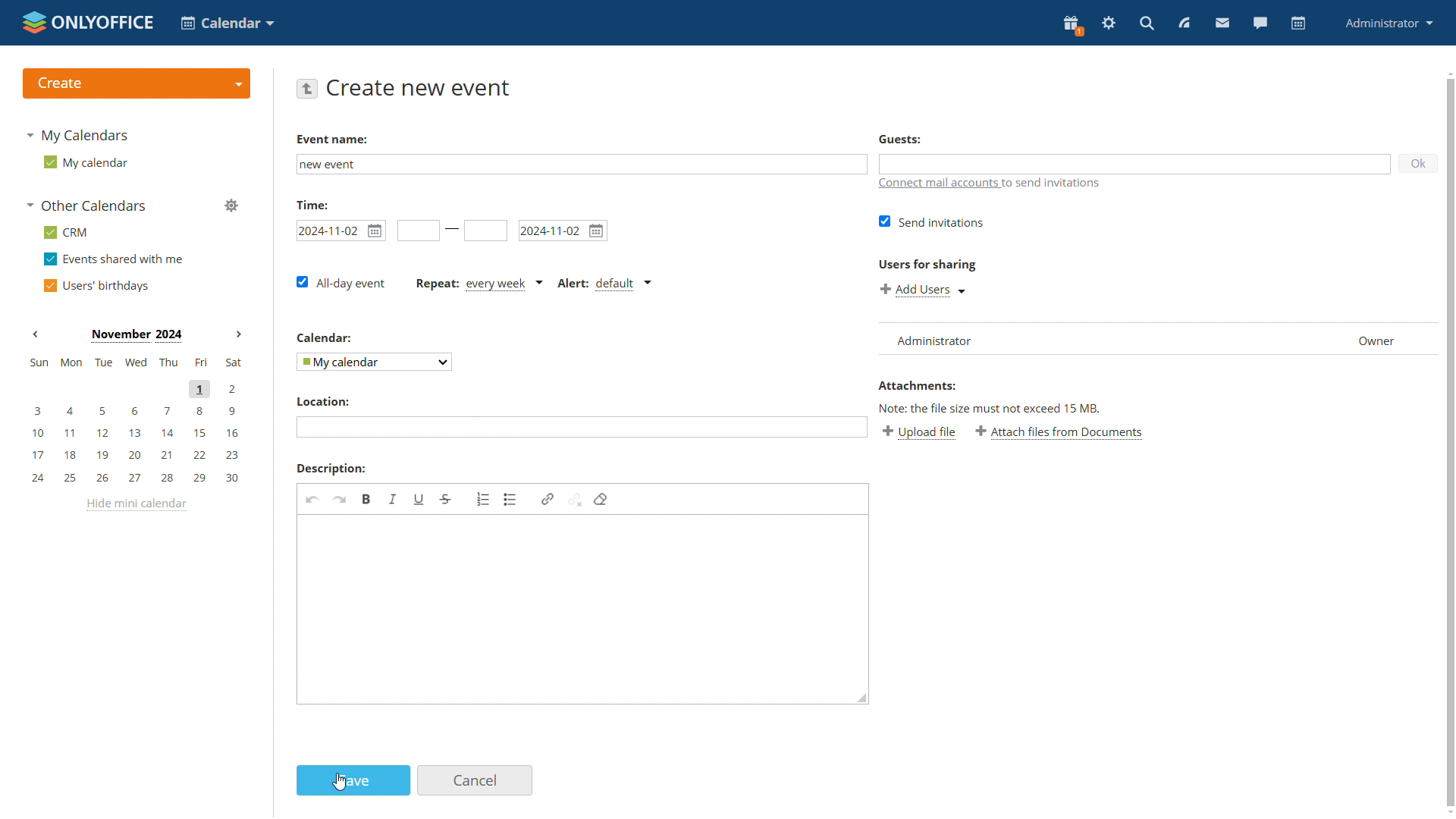 The width and height of the screenshot is (1456, 819). Describe the element at coordinates (921, 434) in the screenshot. I see `upload file` at that location.